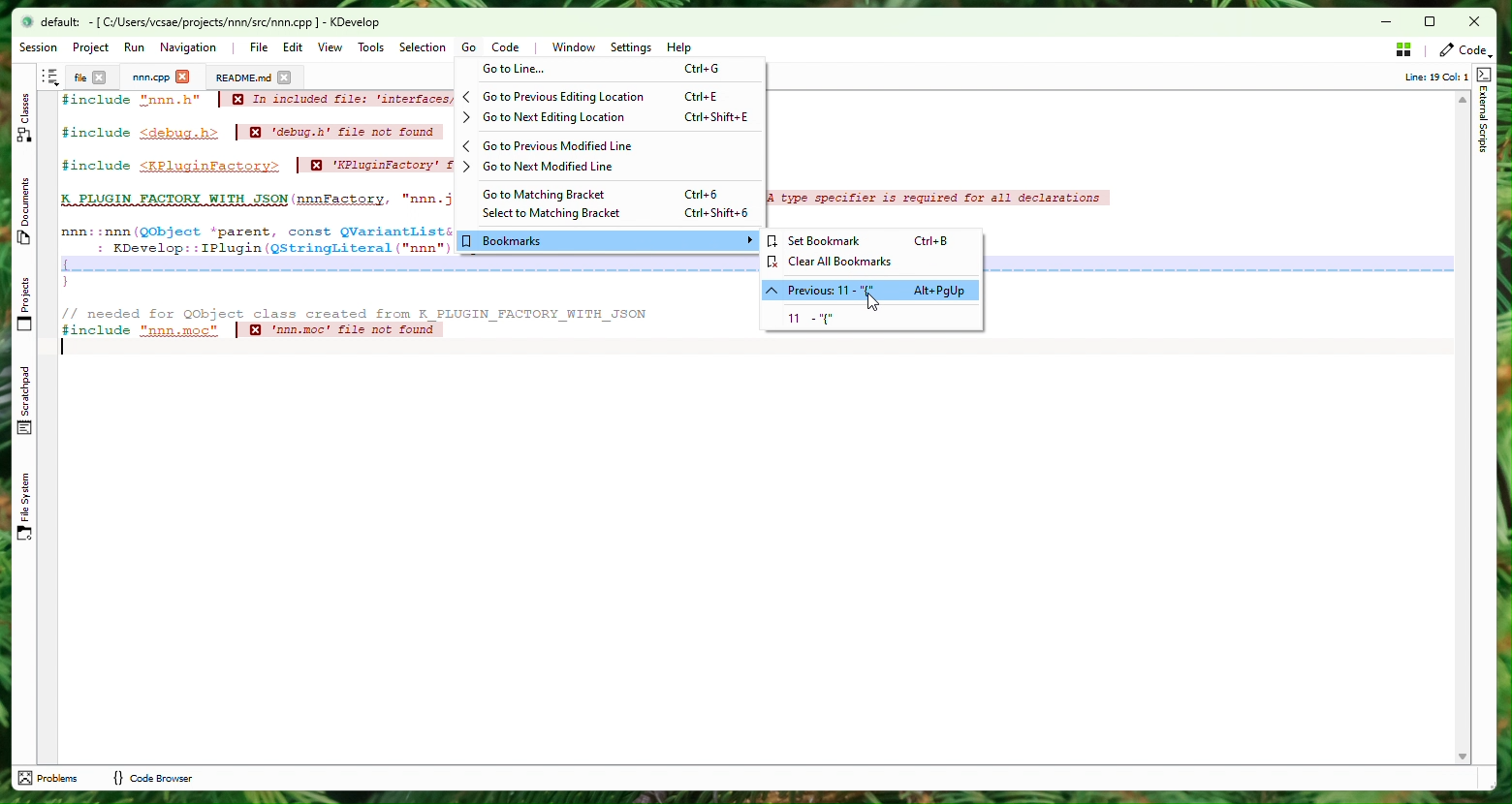  I want to click on File Sytem, so click(27, 509).